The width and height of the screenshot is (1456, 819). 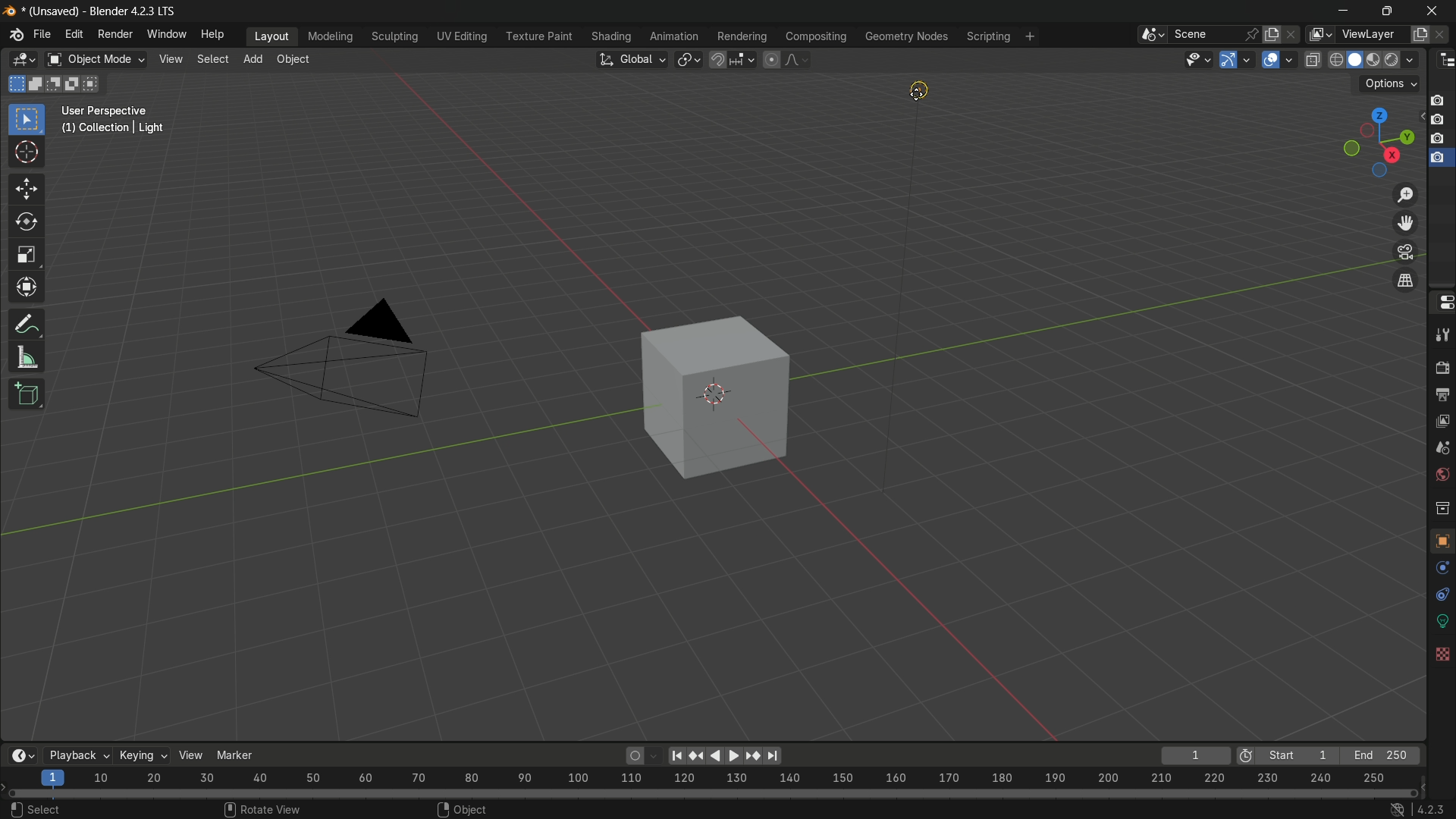 What do you see at coordinates (96, 60) in the screenshot?
I see `object mode` at bounding box center [96, 60].